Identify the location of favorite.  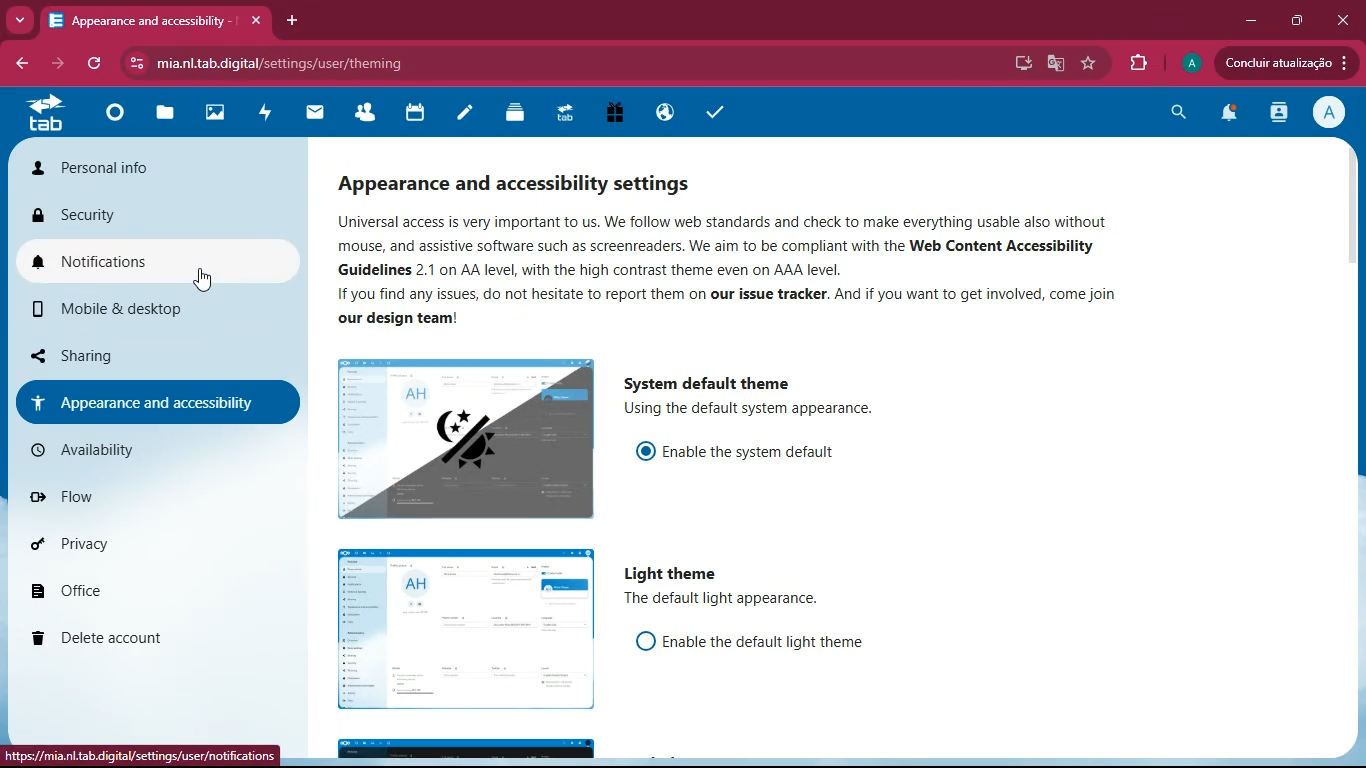
(1088, 63).